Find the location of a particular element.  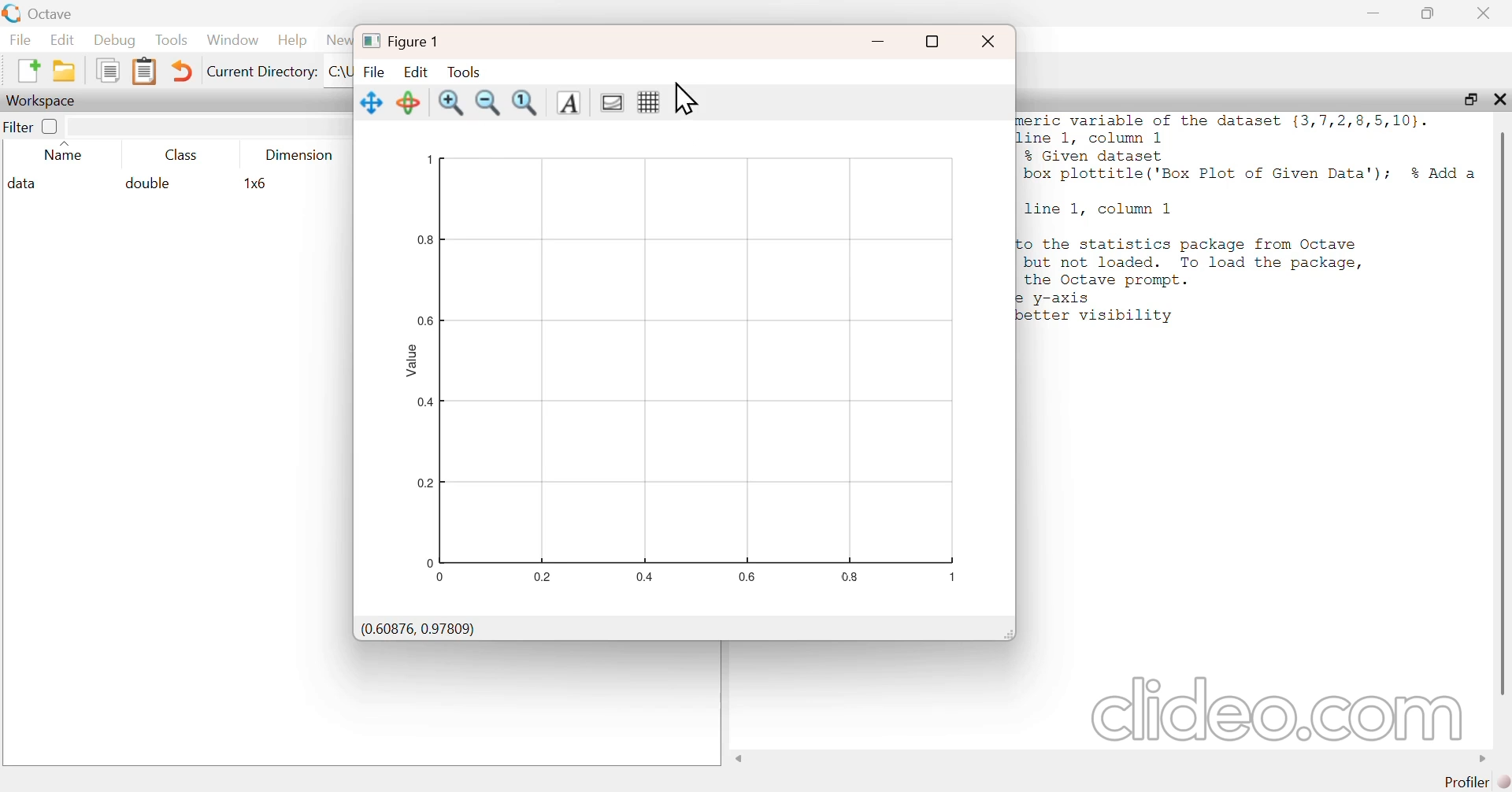

window is located at coordinates (234, 37).